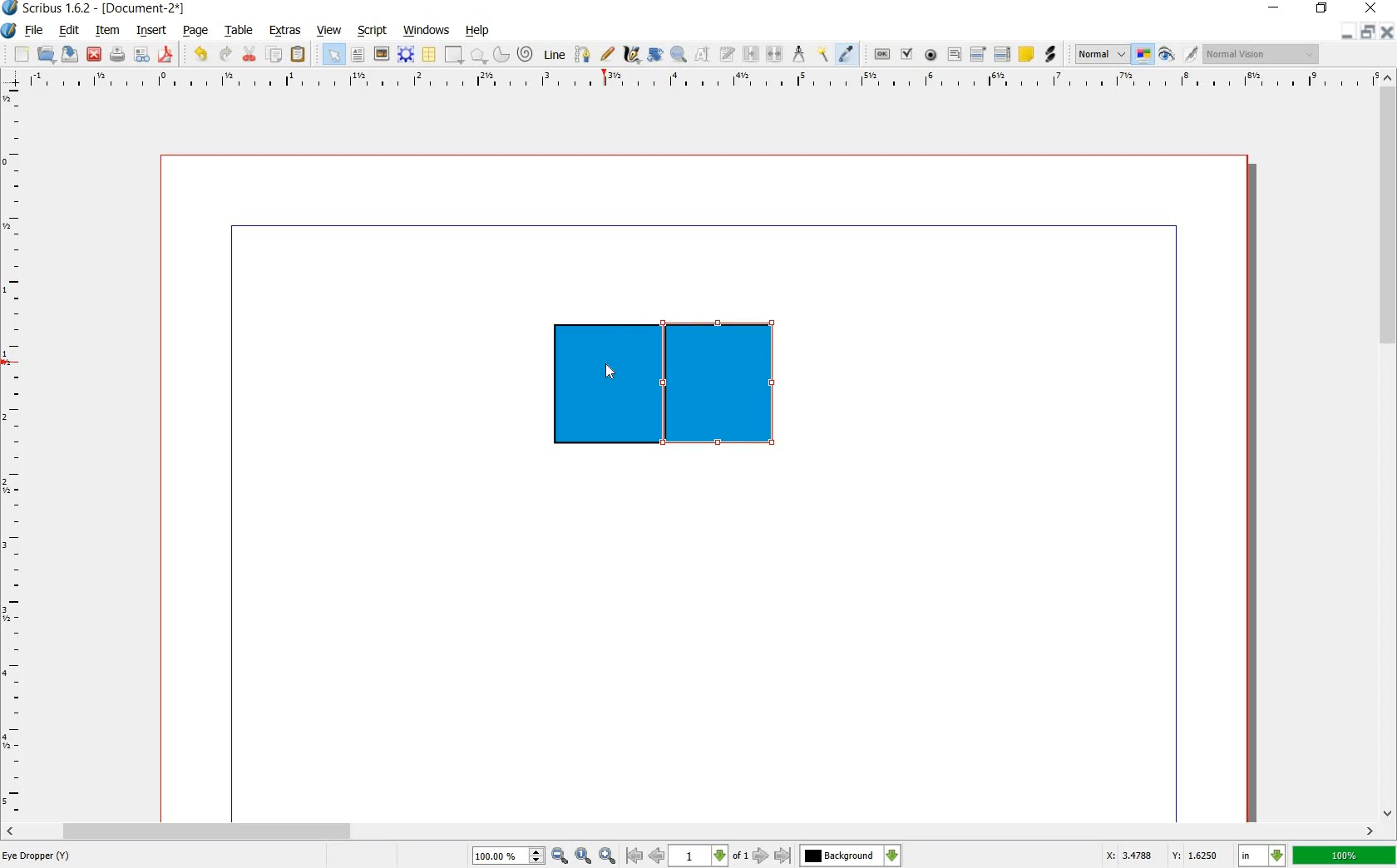 This screenshot has height=868, width=1397. What do you see at coordinates (10, 31) in the screenshot?
I see `system logo` at bounding box center [10, 31].